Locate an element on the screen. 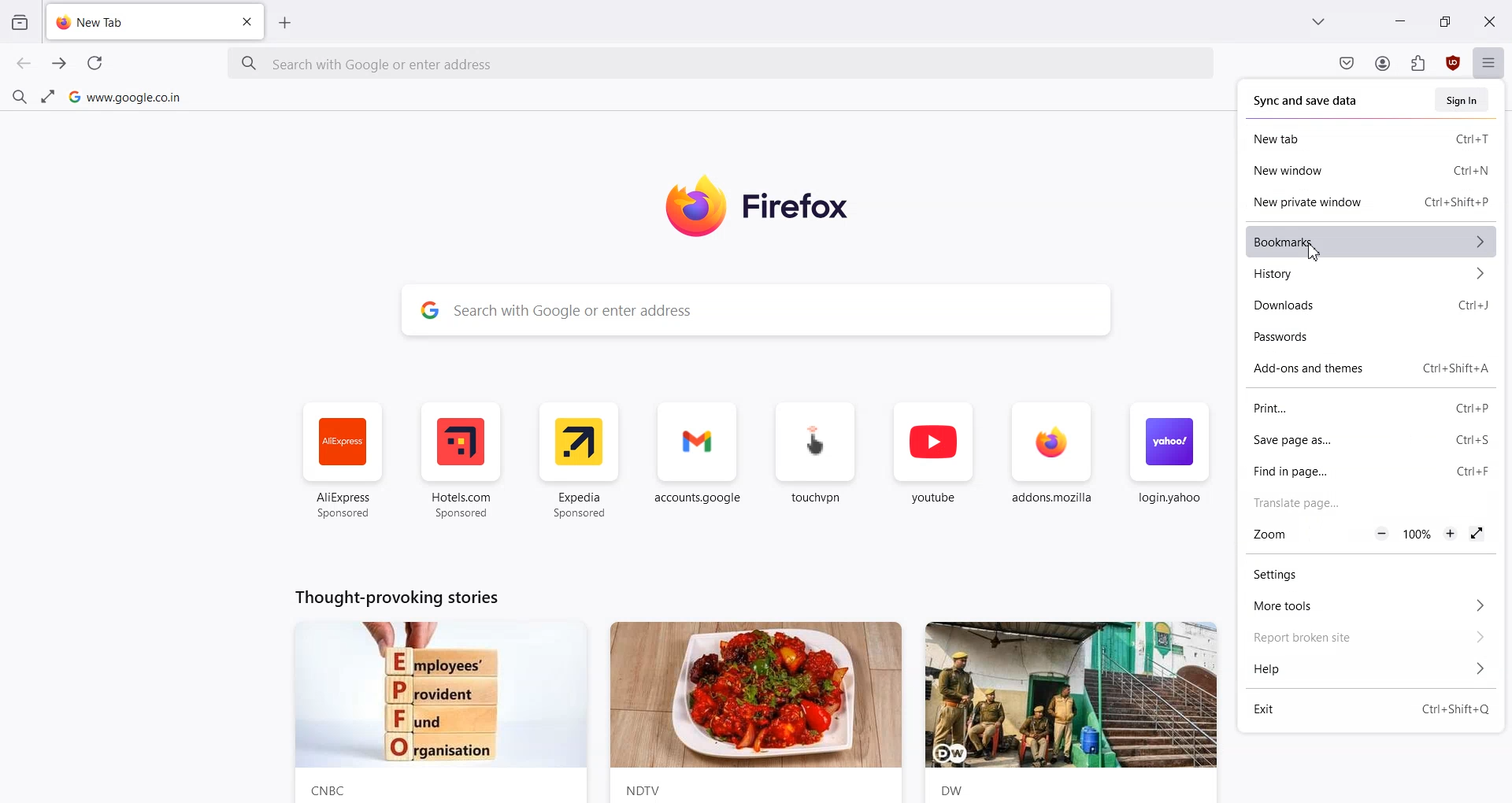  Maximize is located at coordinates (1444, 20).